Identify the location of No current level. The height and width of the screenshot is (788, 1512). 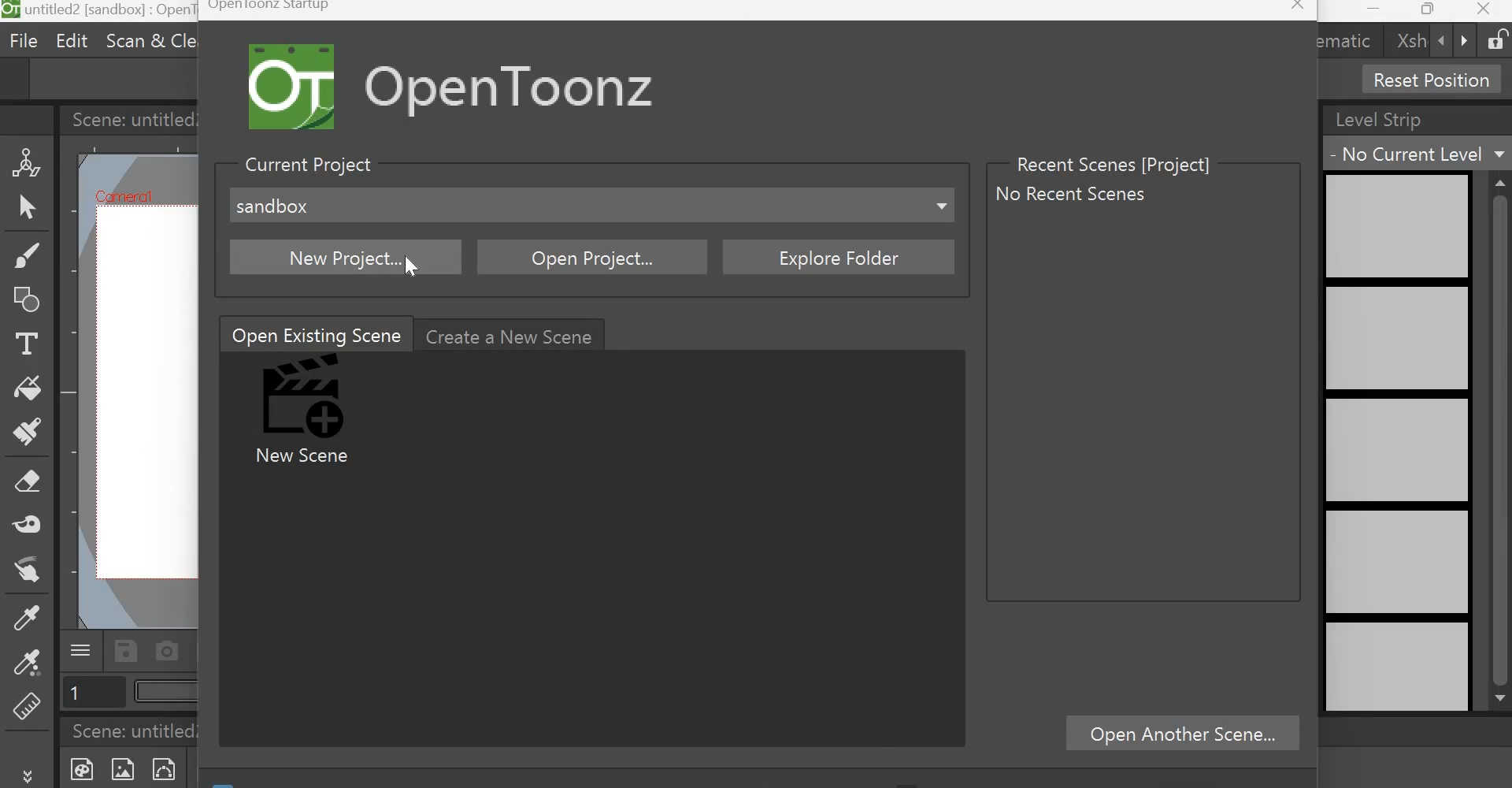
(1414, 156).